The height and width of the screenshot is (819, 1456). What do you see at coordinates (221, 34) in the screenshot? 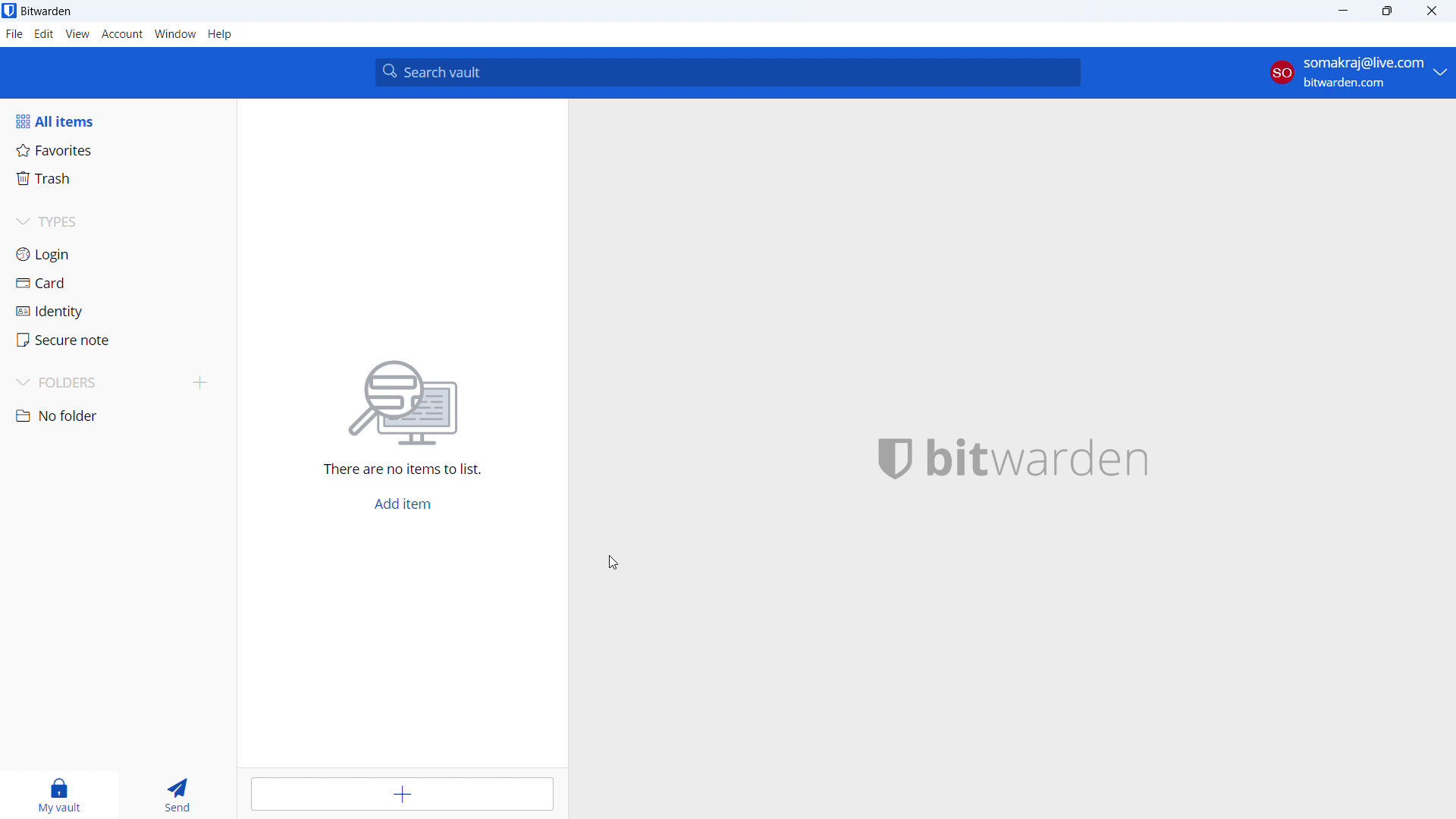
I see `help` at bounding box center [221, 34].